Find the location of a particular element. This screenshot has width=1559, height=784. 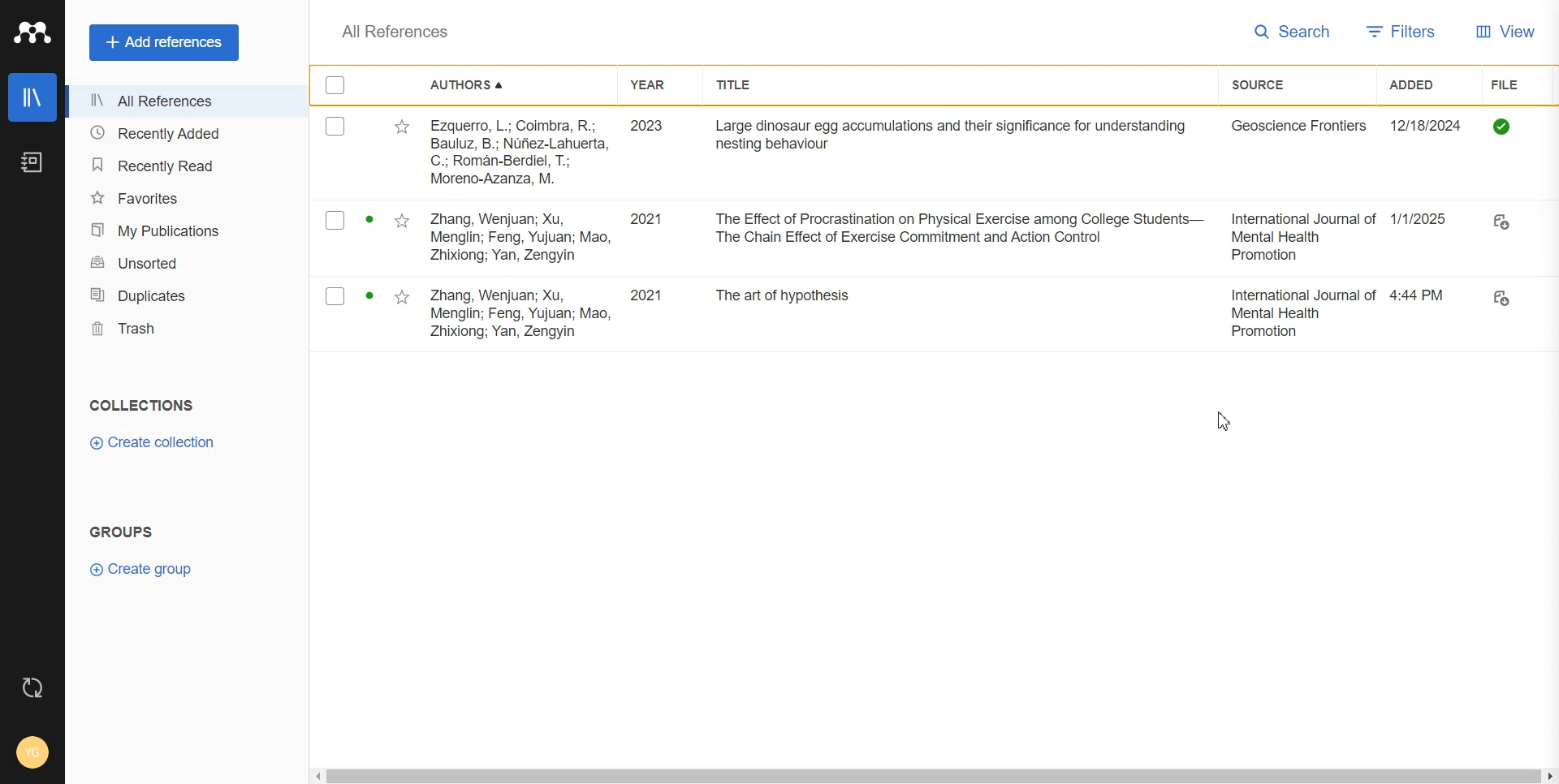

Starred is located at coordinates (404, 296).